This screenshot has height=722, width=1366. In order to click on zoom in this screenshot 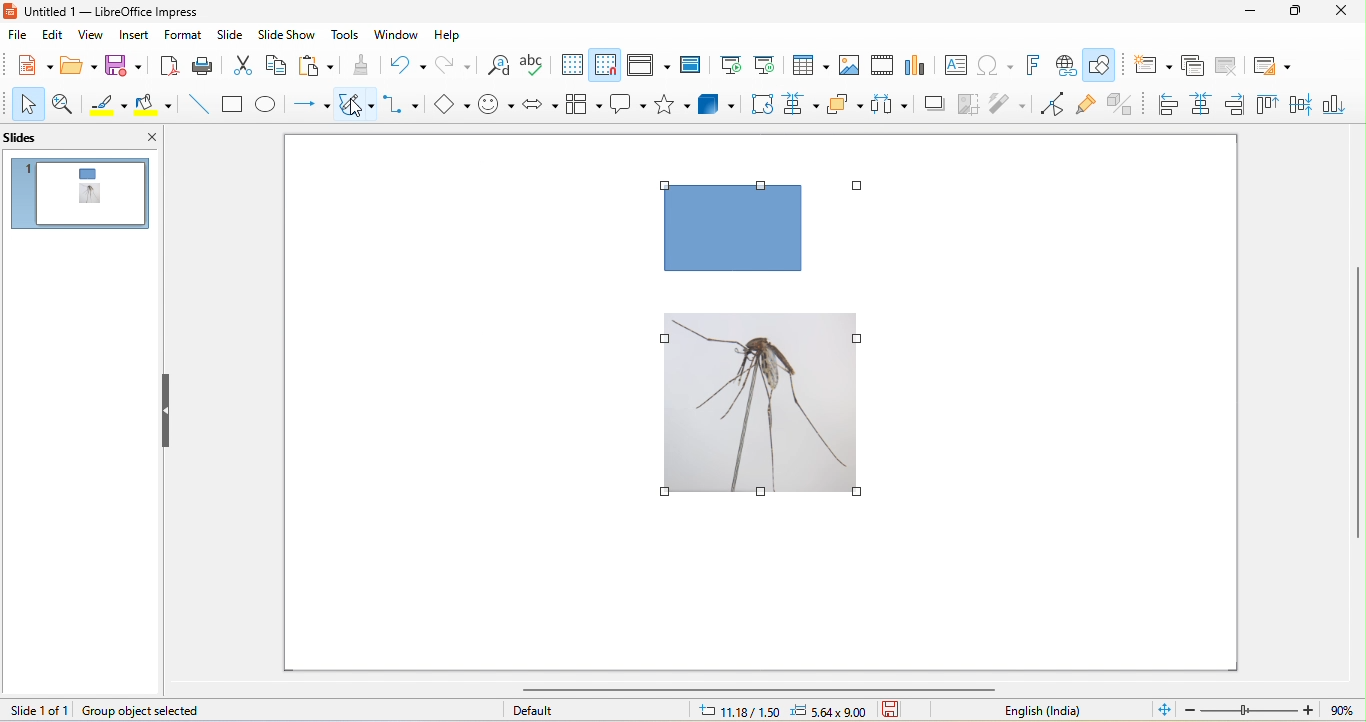, I will do `click(1270, 709)`.